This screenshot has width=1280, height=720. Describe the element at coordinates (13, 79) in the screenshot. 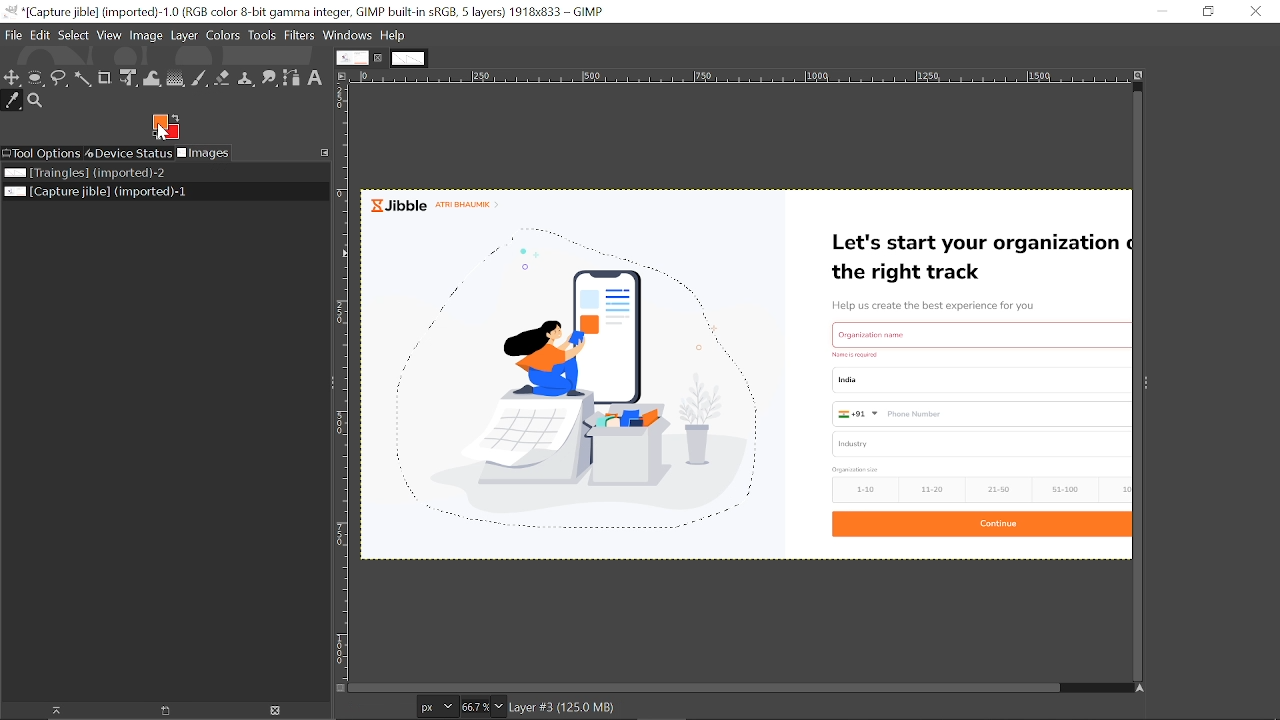

I see `Move tool` at that location.